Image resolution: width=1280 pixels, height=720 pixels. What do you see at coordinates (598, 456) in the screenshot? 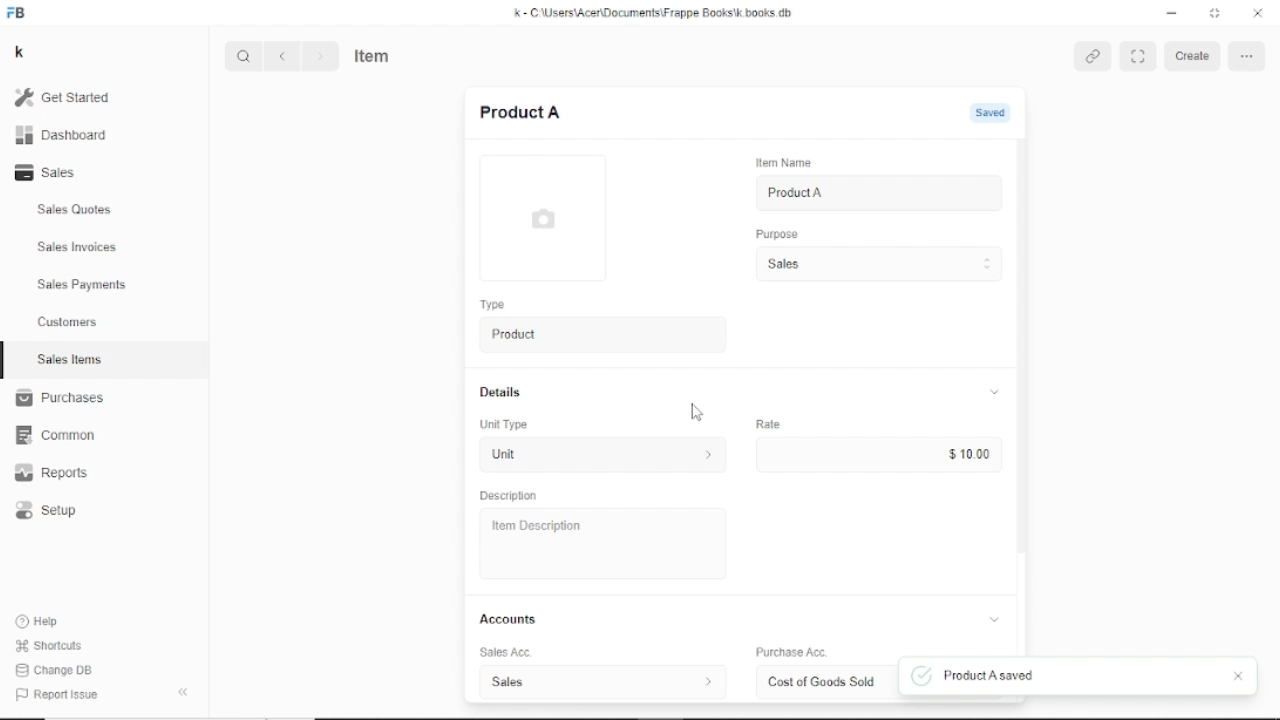
I see `Unit` at bounding box center [598, 456].